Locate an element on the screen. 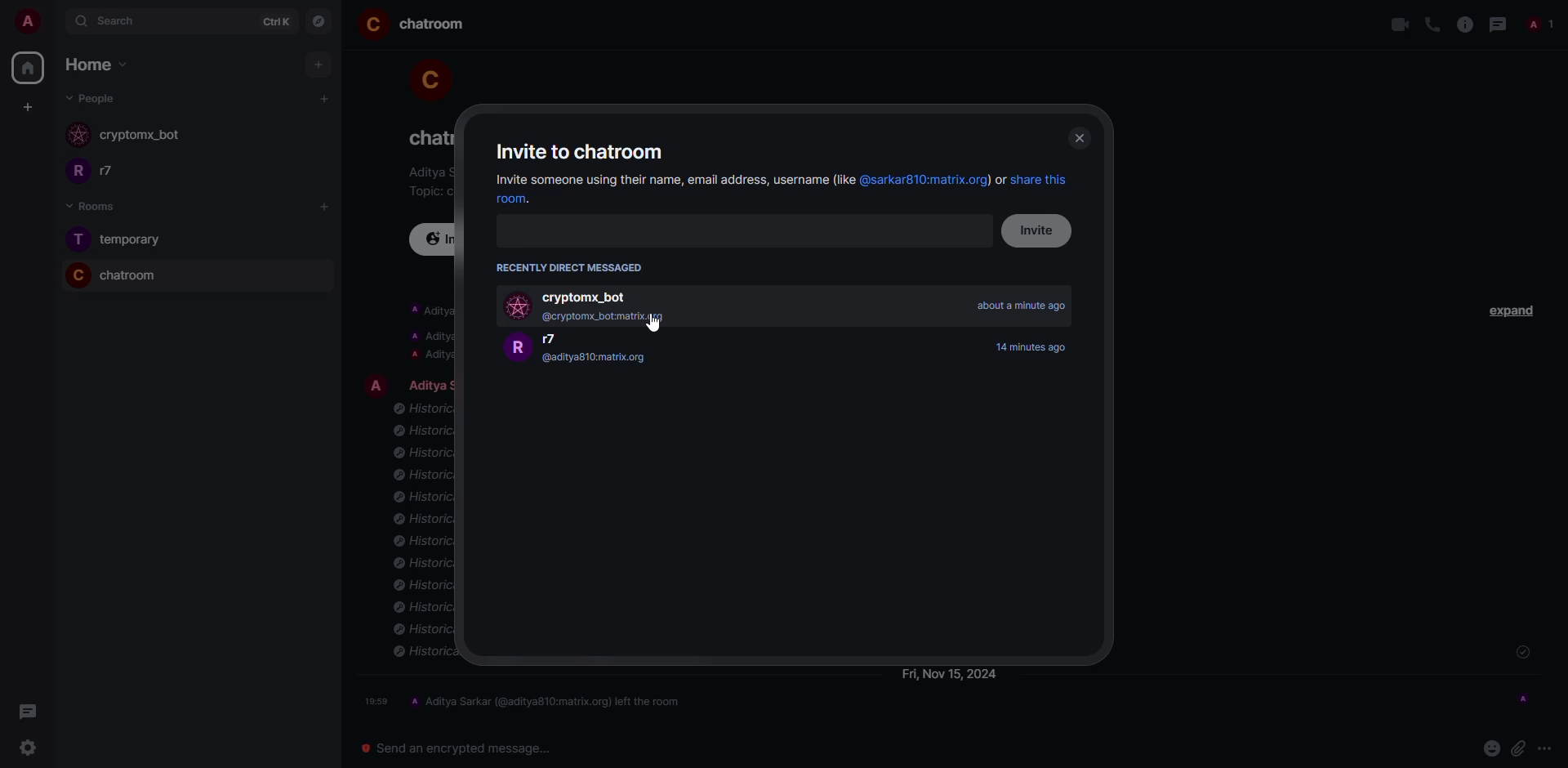 The image size is (1568, 768). email id is located at coordinates (596, 359).